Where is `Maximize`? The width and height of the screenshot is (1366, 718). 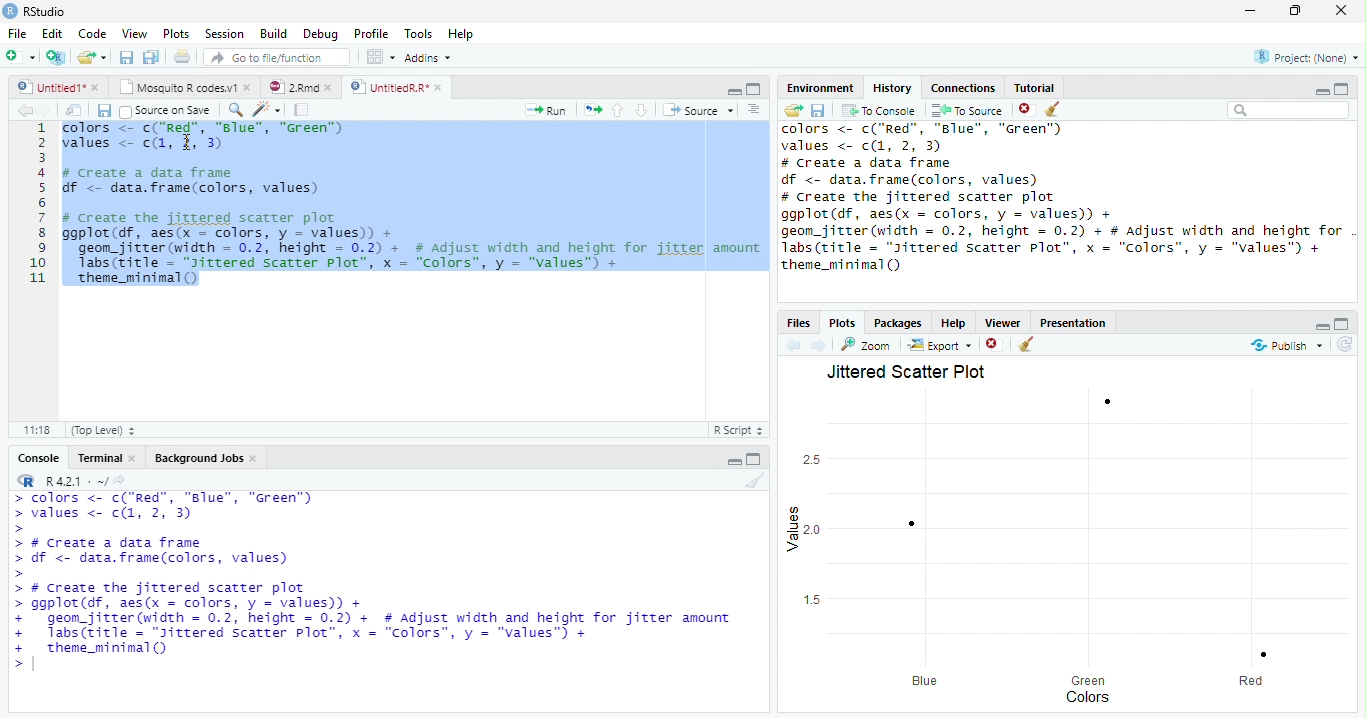
Maximize is located at coordinates (1342, 324).